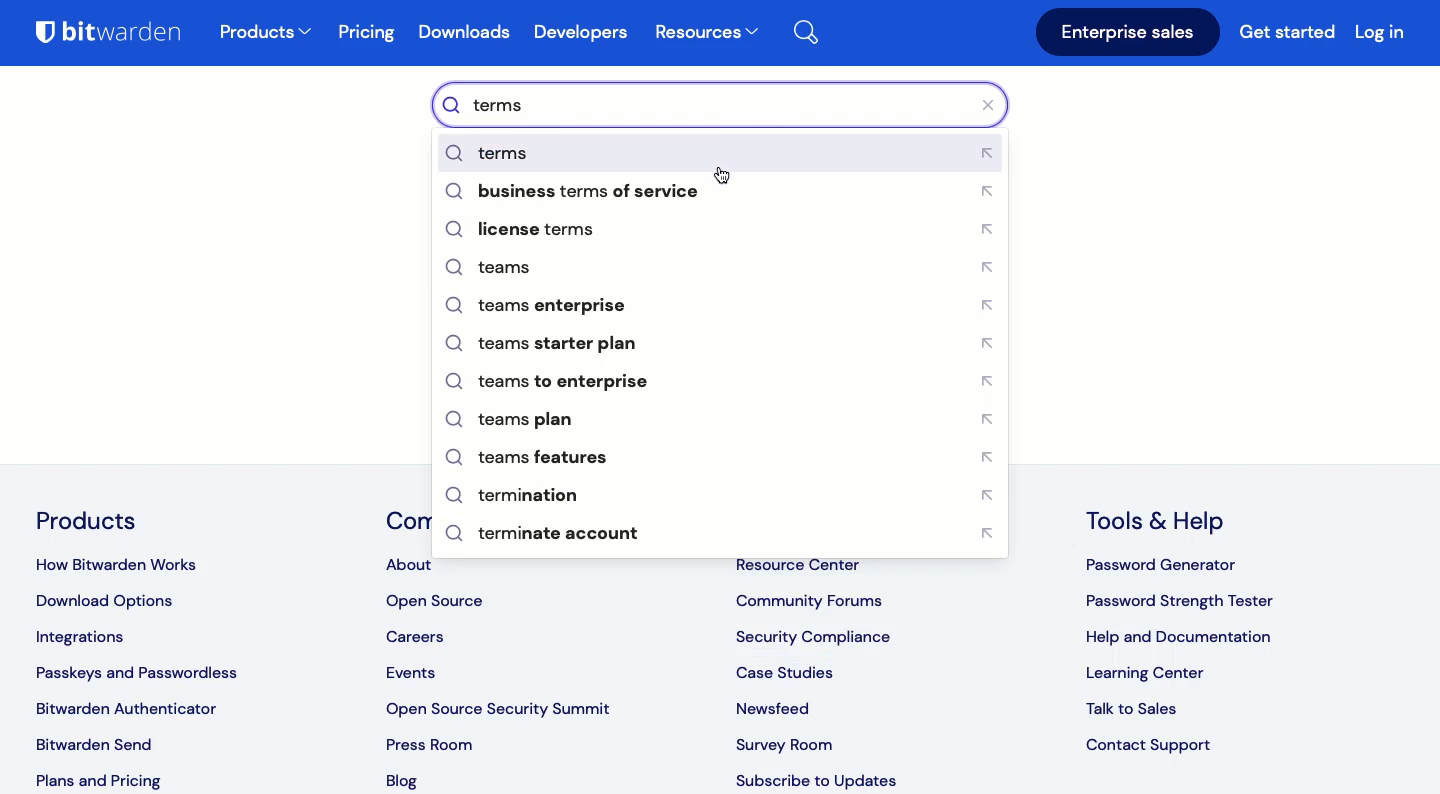 The height and width of the screenshot is (794, 1440). What do you see at coordinates (814, 597) in the screenshot?
I see `community forums` at bounding box center [814, 597].